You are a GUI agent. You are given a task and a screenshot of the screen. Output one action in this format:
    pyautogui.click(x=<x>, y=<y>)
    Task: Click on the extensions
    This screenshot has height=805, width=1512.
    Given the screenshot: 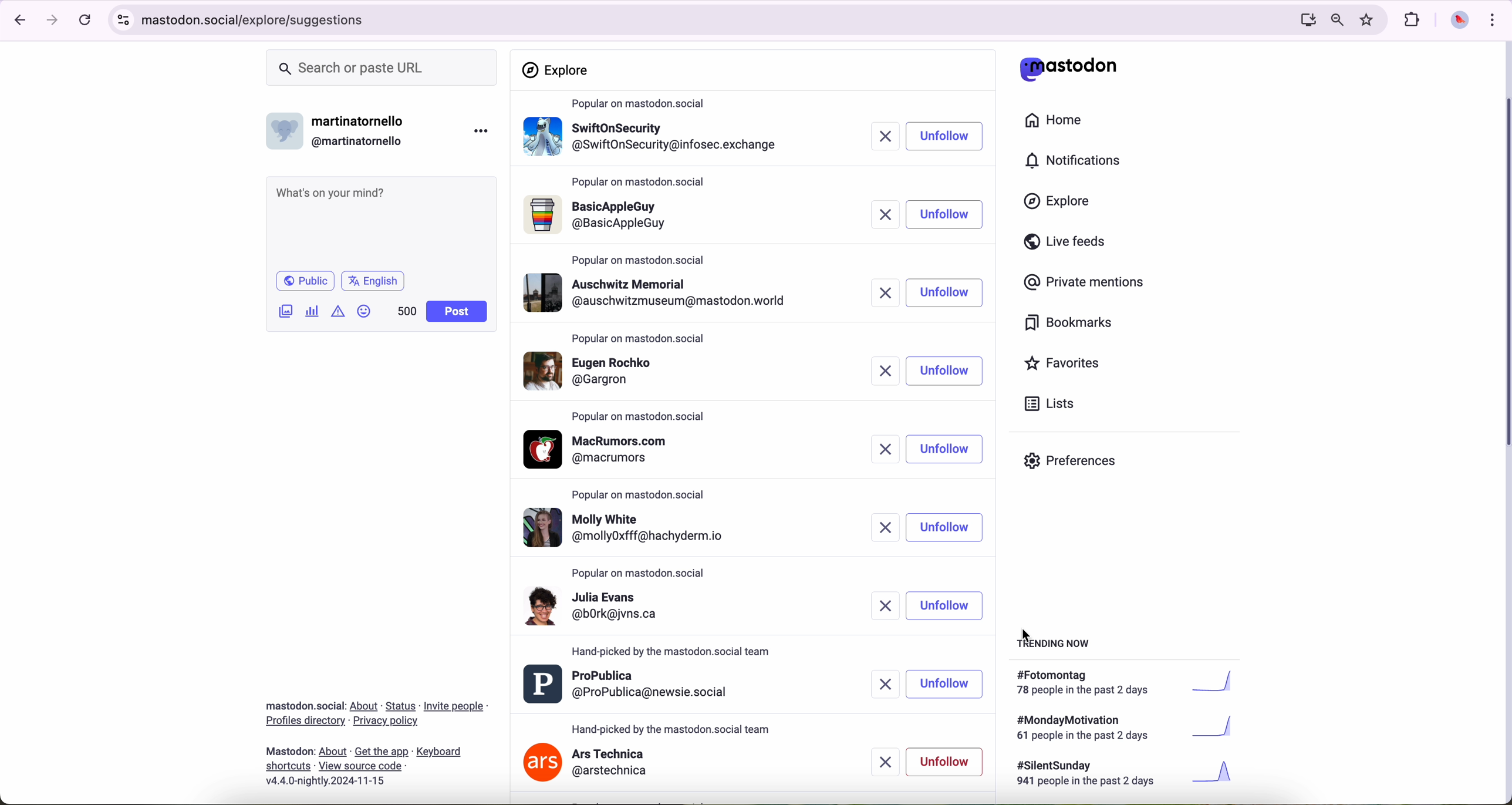 What is the action you would take?
    pyautogui.click(x=1413, y=20)
    